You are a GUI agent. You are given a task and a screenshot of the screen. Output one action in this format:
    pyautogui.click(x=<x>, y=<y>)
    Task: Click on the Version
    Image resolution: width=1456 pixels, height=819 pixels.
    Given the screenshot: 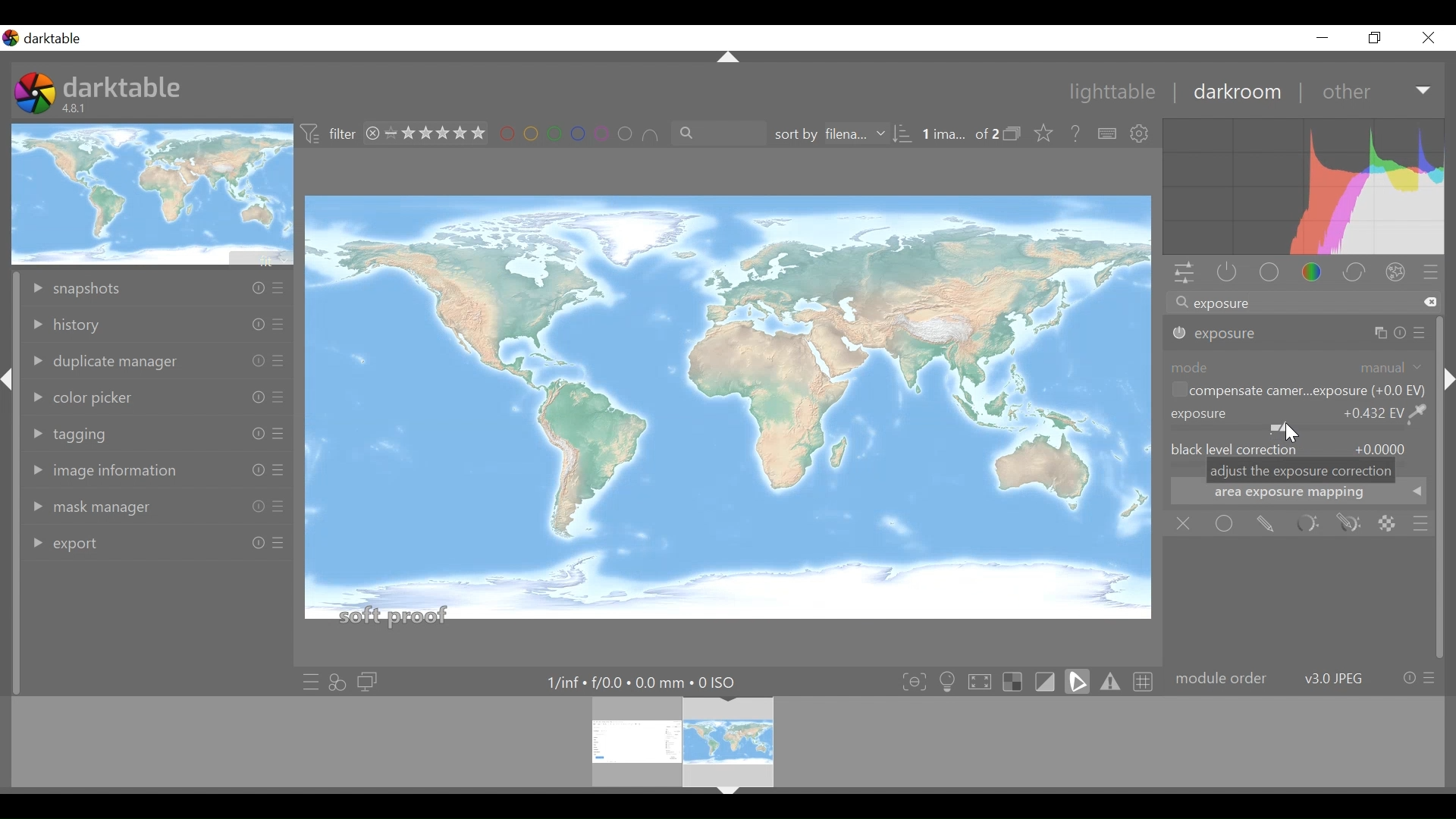 What is the action you would take?
    pyautogui.click(x=77, y=108)
    